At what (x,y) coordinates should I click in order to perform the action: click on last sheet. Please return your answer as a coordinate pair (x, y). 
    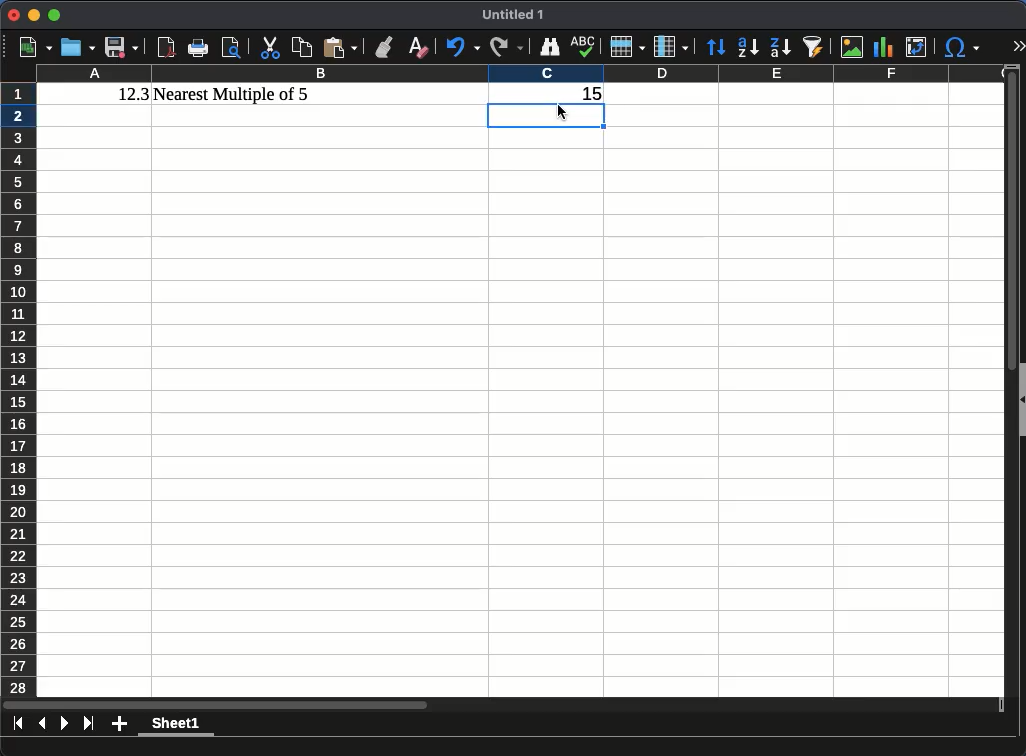
    Looking at the image, I should click on (90, 724).